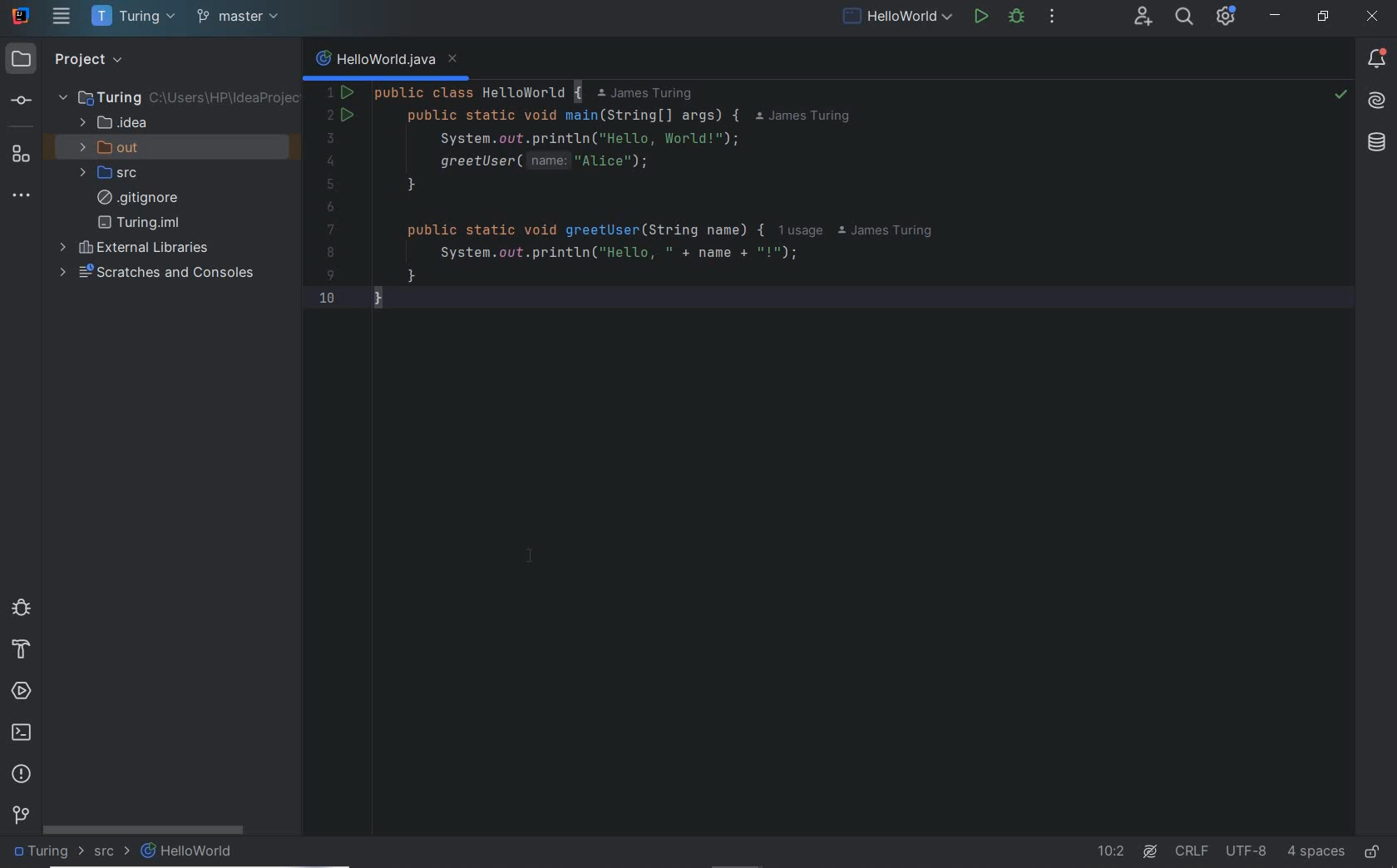 Image resolution: width=1397 pixels, height=868 pixels. I want to click on external libraries, so click(134, 249).